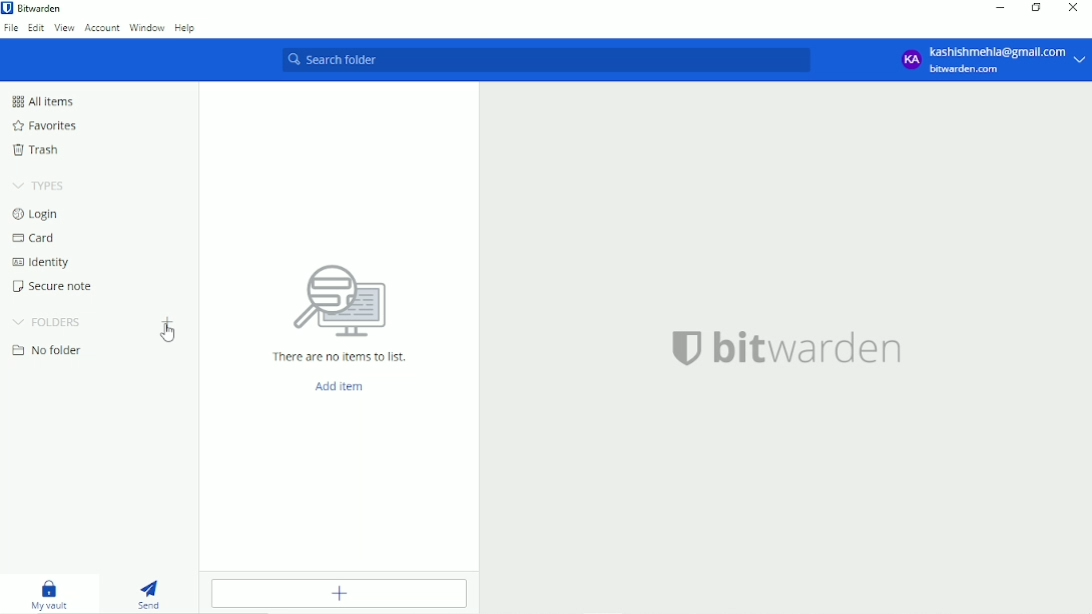  I want to click on cursor, so click(168, 338).